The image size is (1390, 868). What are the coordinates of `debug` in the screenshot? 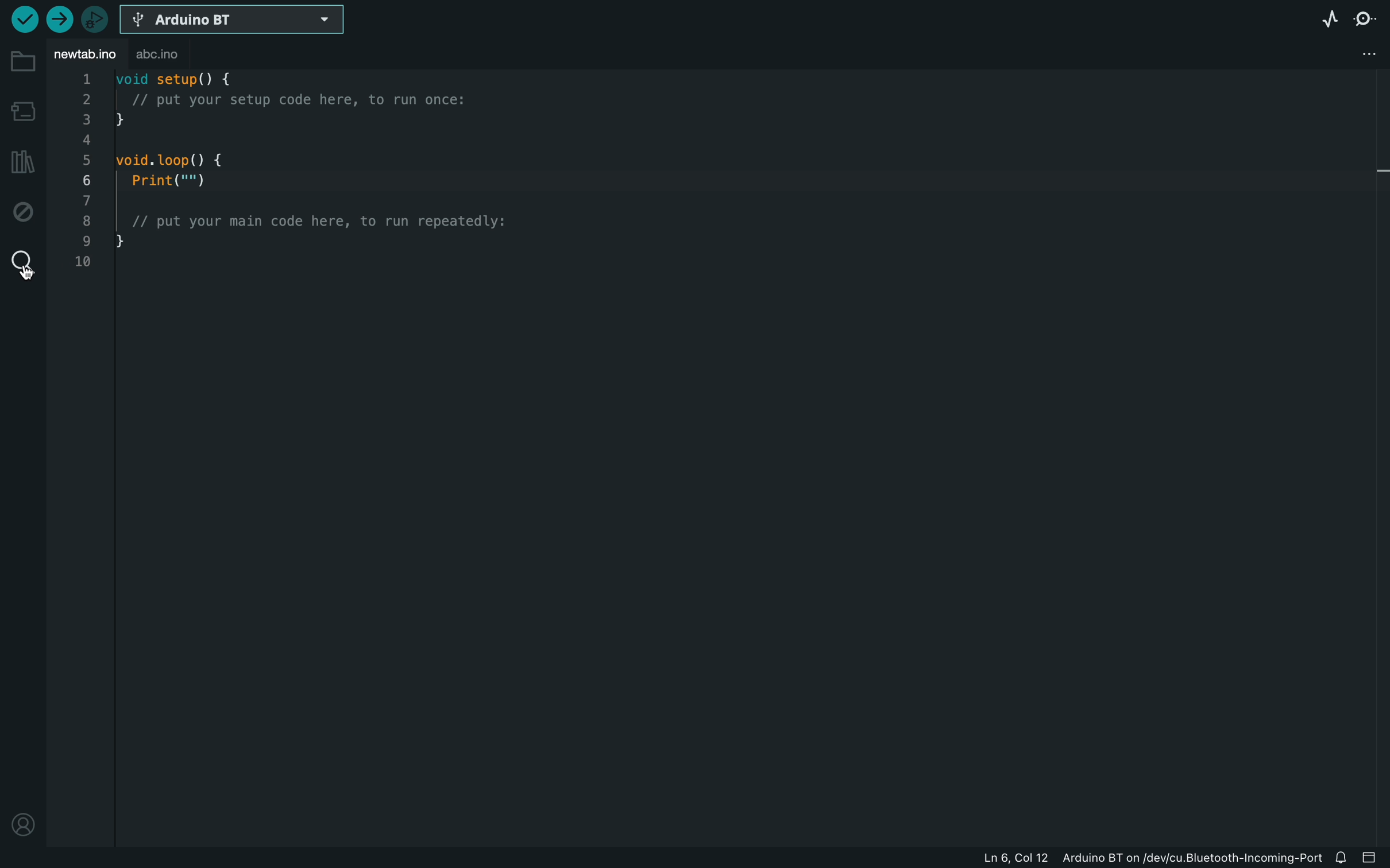 It's located at (25, 212).